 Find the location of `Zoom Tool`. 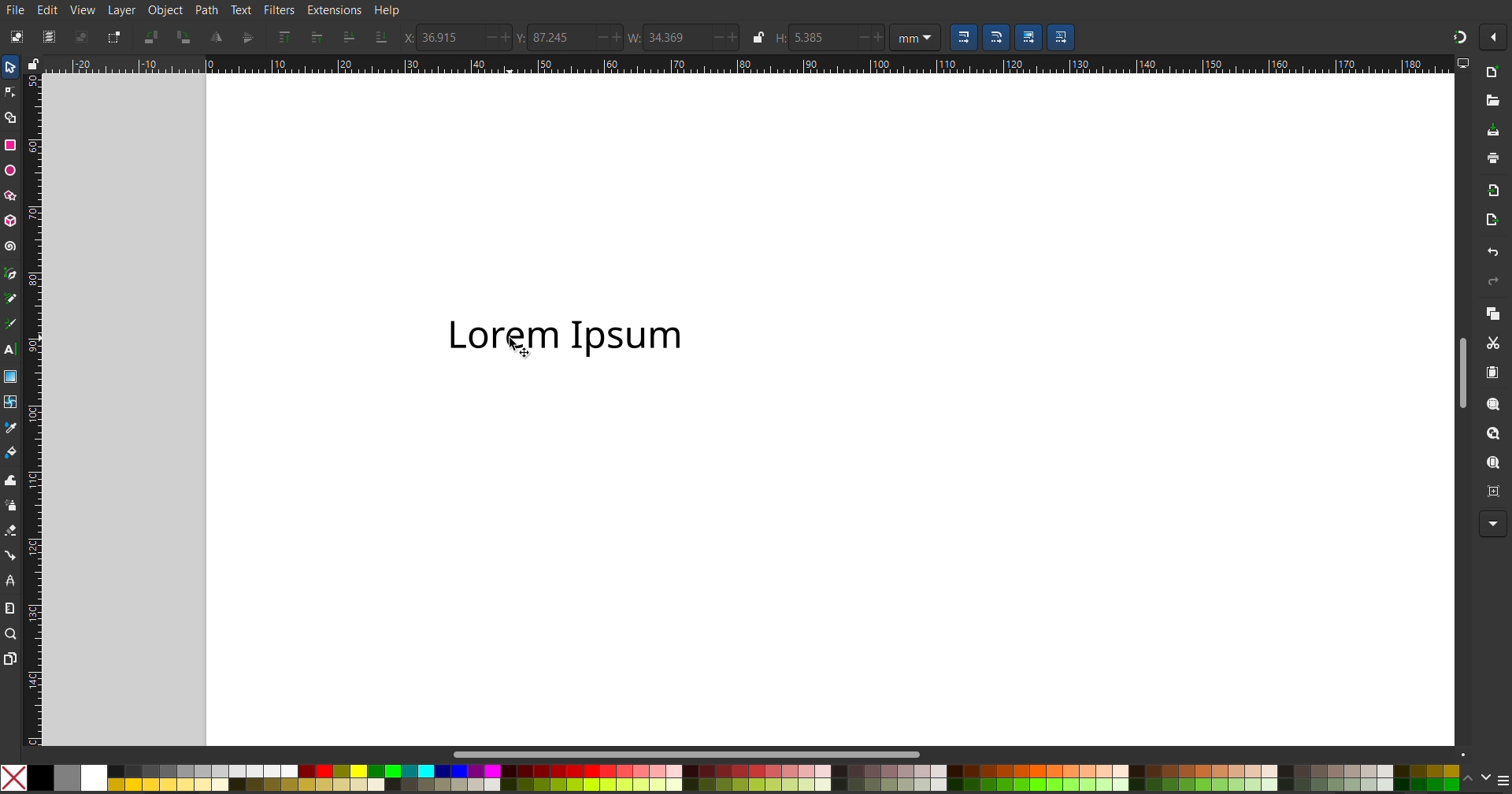

Zoom Tool is located at coordinates (11, 634).